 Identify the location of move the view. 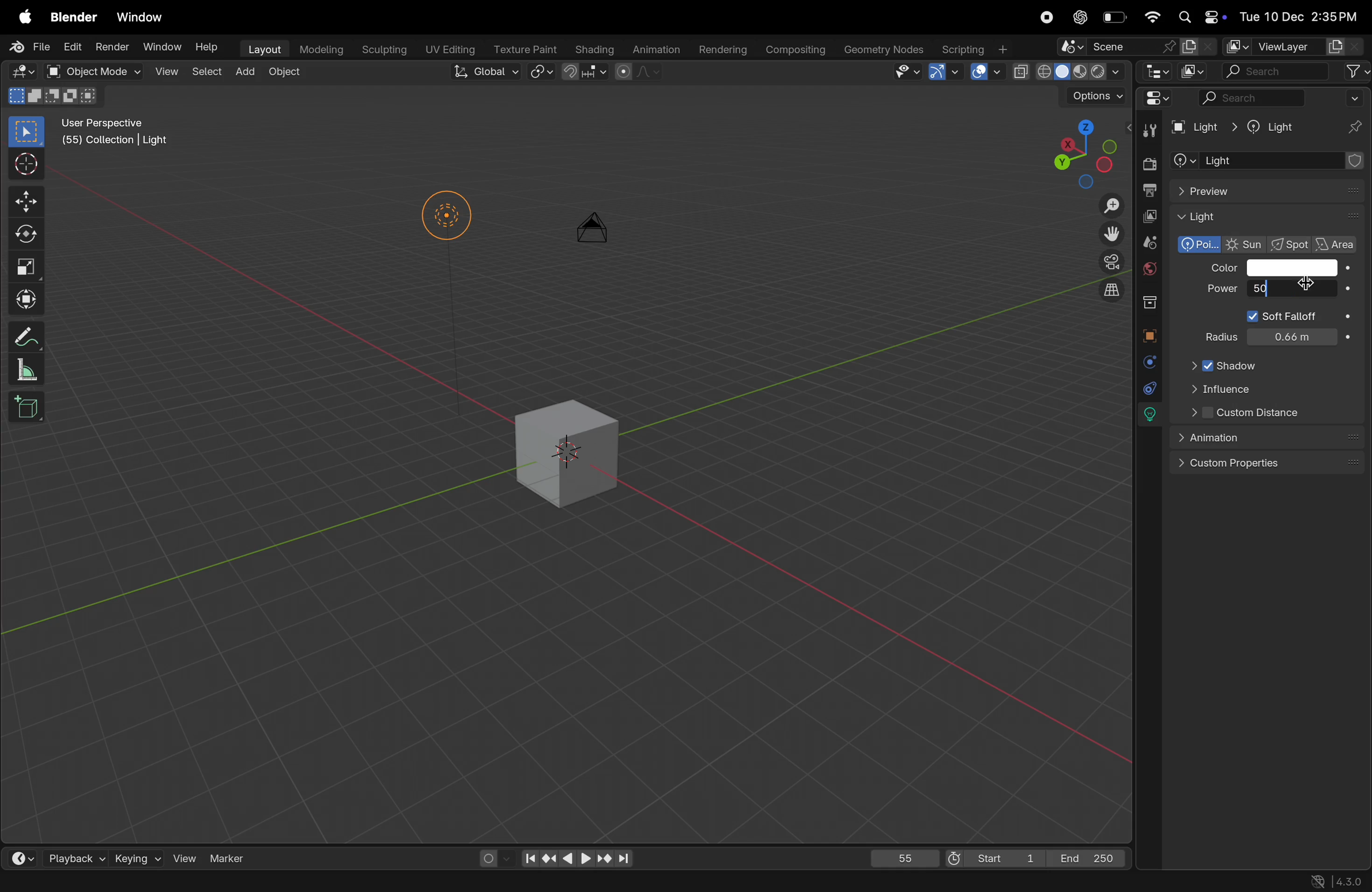
(1112, 235).